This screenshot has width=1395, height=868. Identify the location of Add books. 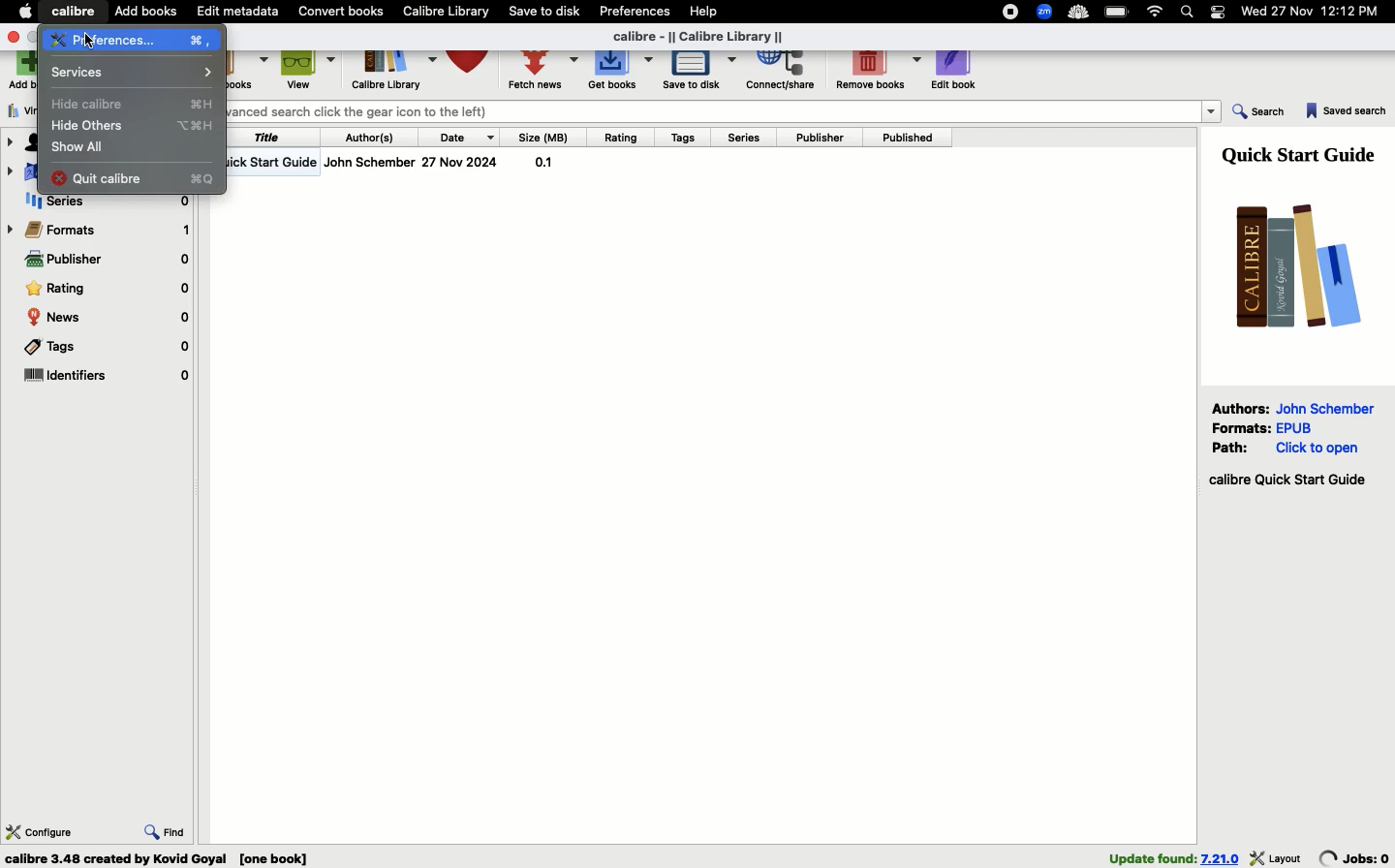
(146, 13).